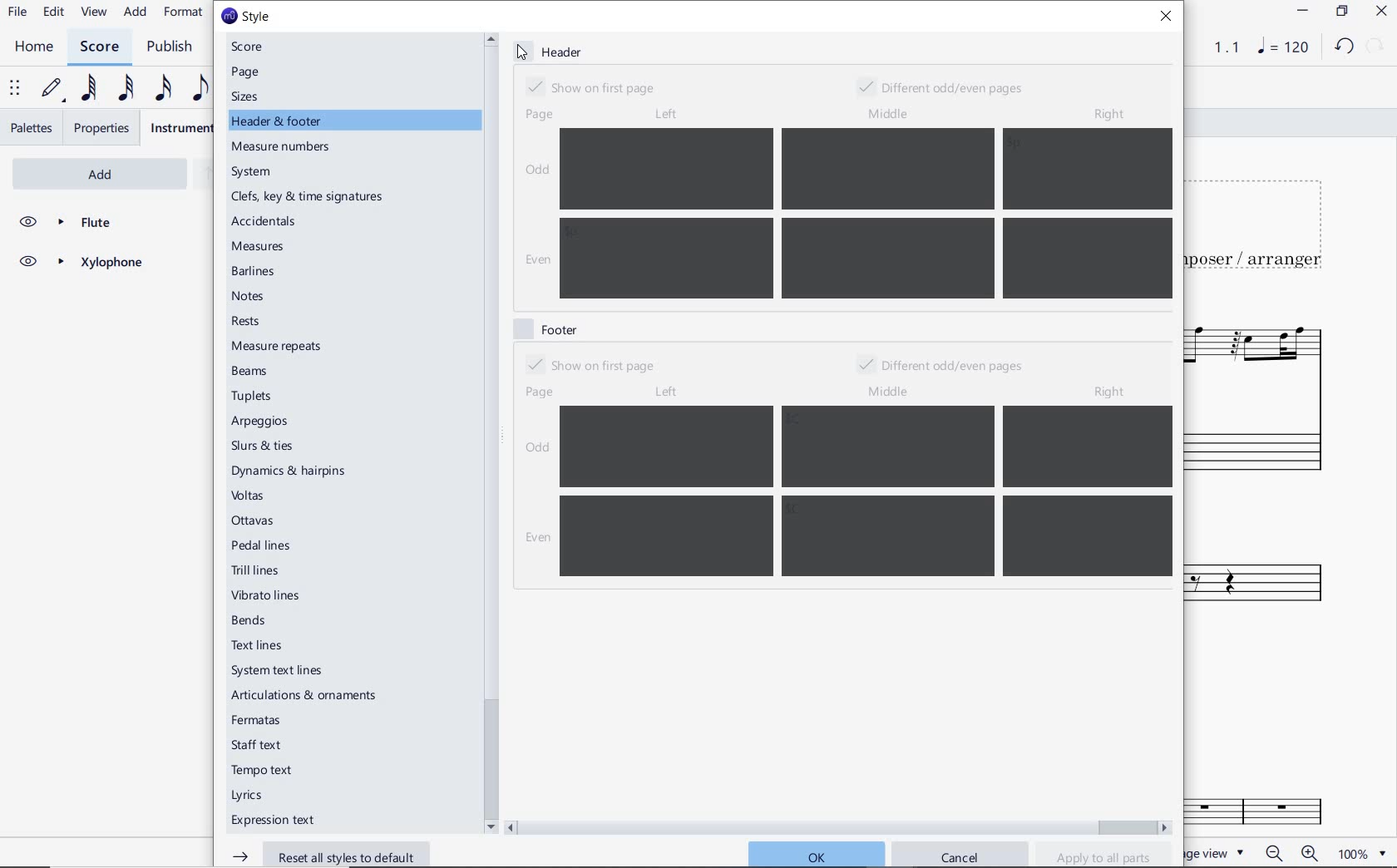  Describe the element at coordinates (86, 89) in the screenshot. I see `64TH NOTE` at that location.